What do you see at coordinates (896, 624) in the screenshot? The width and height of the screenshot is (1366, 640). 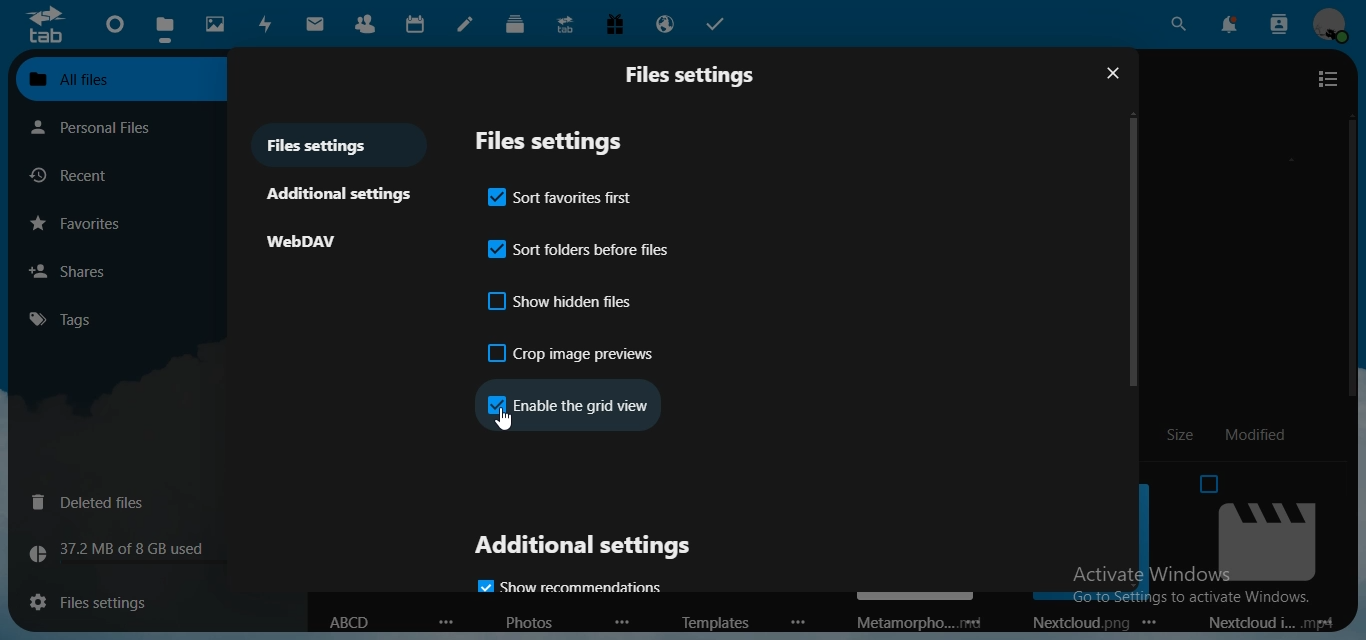 I see `Metamorpho` at bounding box center [896, 624].